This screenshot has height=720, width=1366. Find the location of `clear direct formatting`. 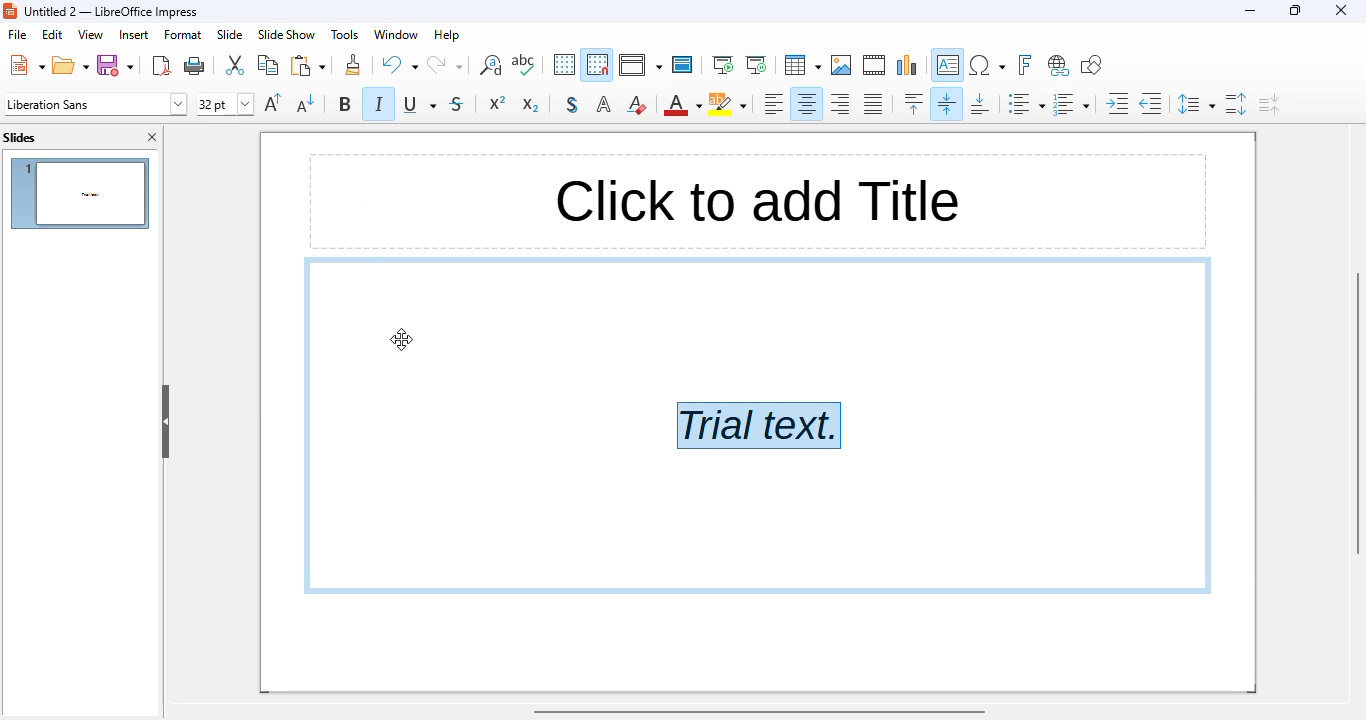

clear direct formatting is located at coordinates (636, 104).